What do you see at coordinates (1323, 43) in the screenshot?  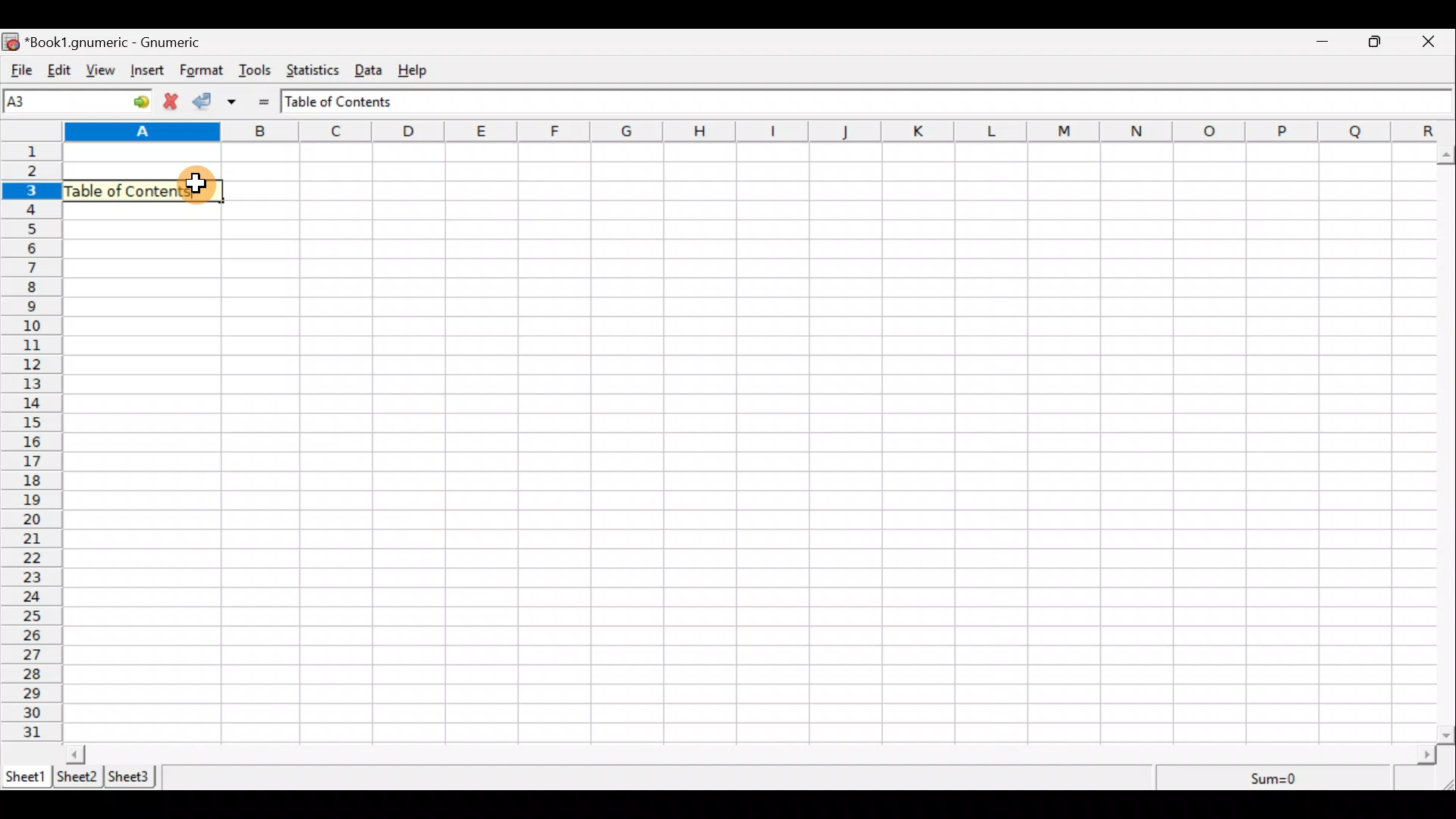 I see `Minimize` at bounding box center [1323, 43].